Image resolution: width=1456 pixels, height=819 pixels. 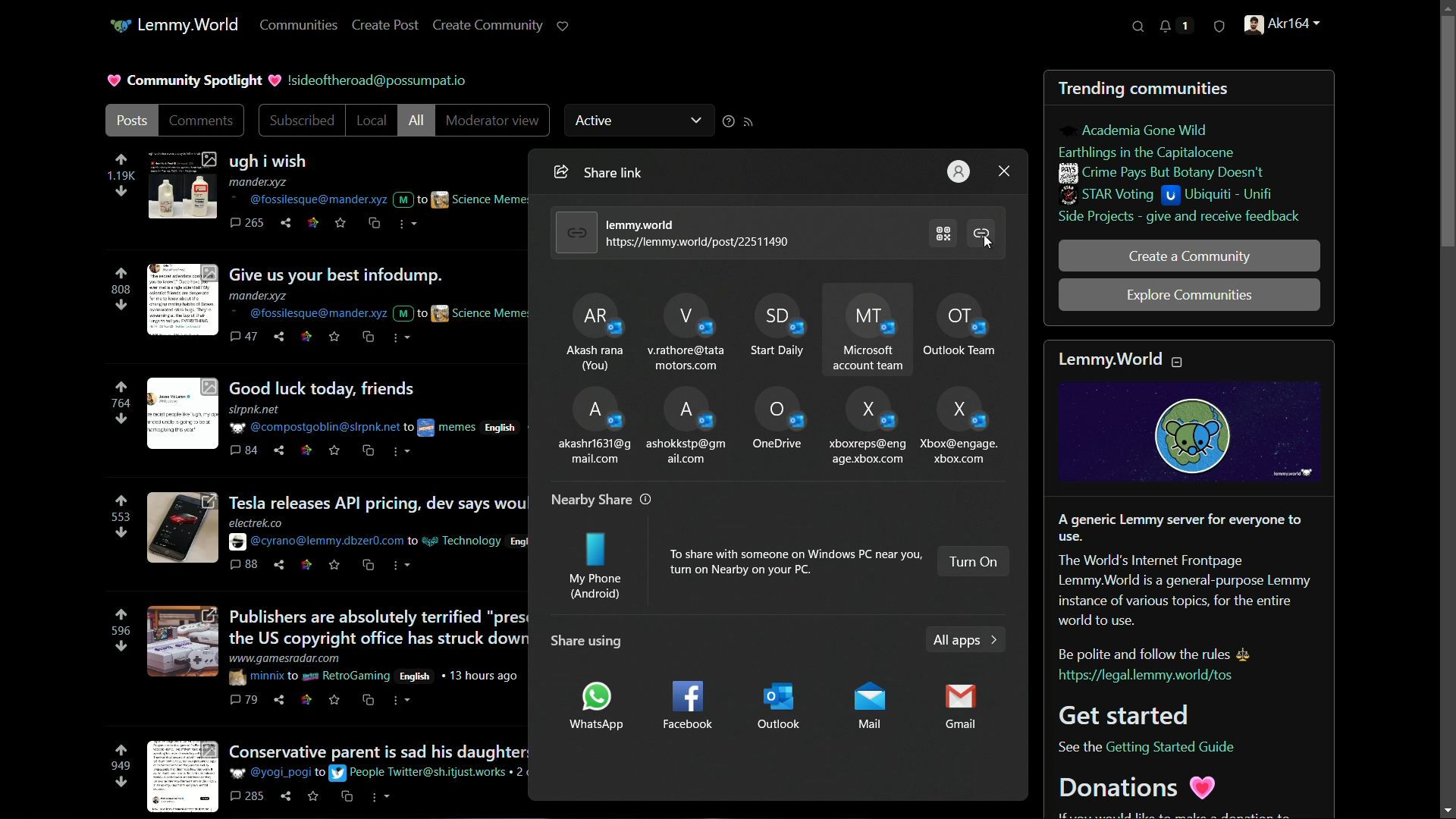 I want to click on science meme, so click(x=480, y=312).